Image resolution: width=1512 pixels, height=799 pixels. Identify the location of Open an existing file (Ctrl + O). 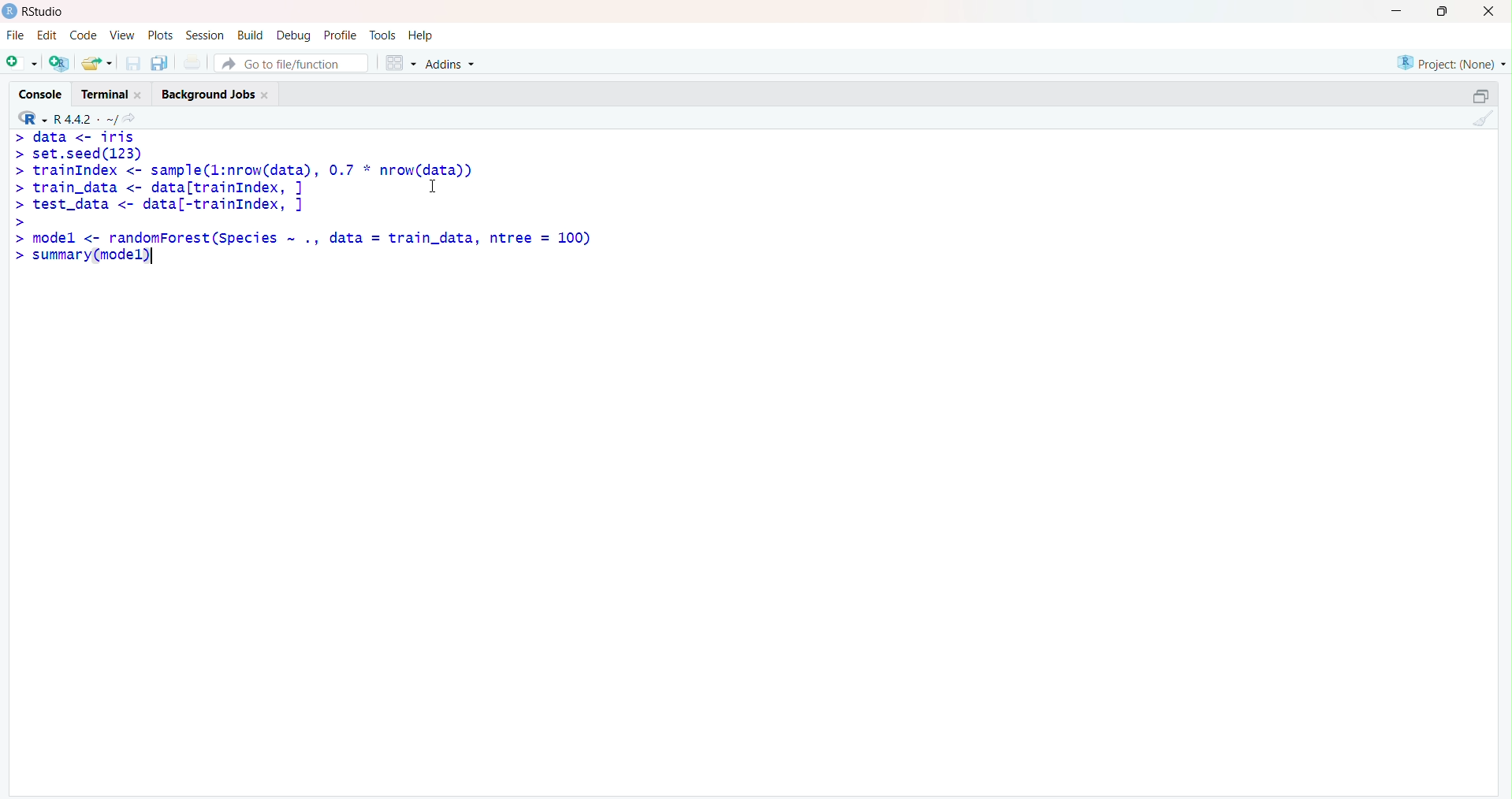
(99, 63).